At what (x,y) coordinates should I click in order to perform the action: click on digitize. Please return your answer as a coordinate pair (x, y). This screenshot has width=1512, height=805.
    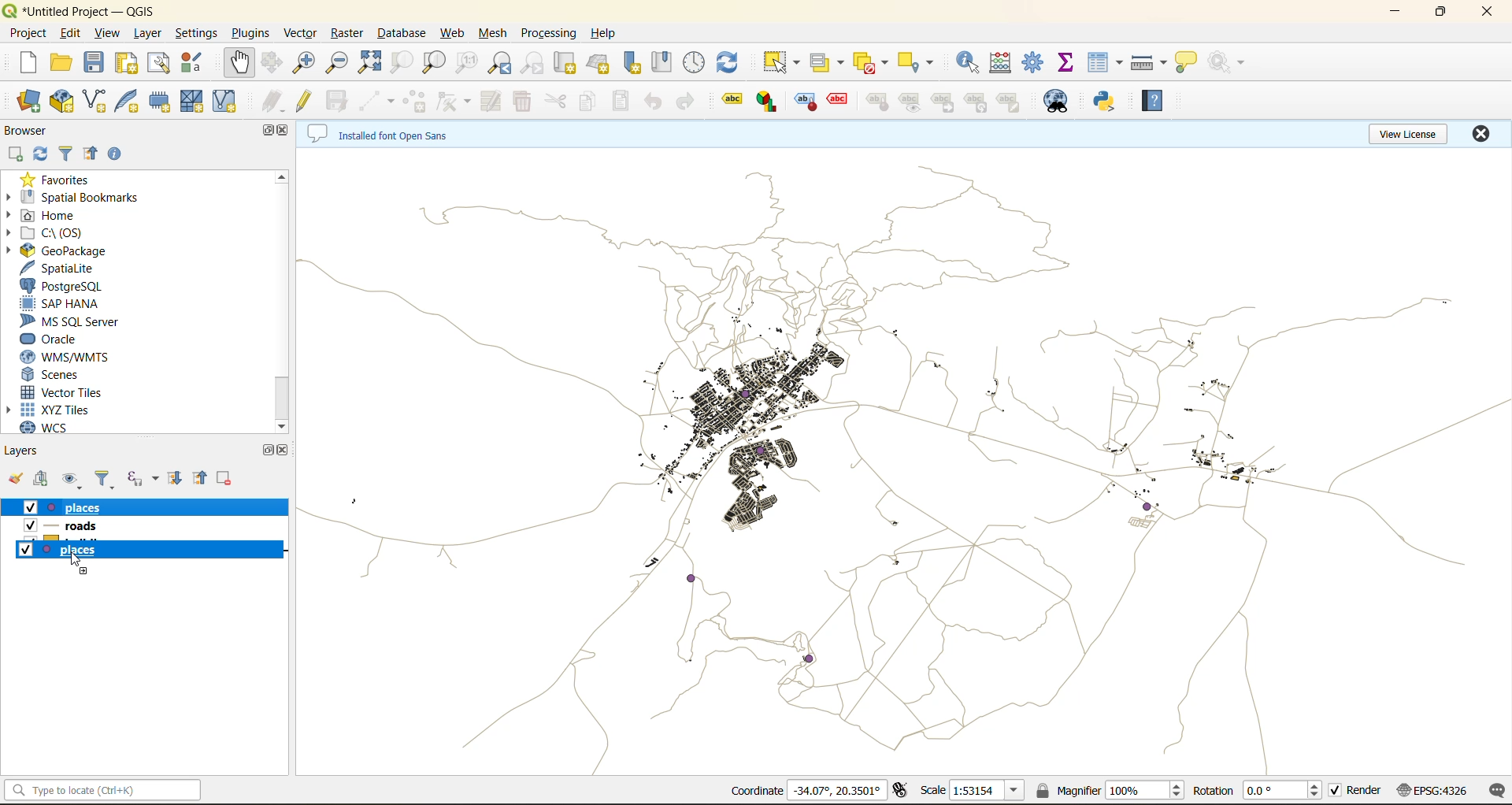
    Looking at the image, I should click on (378, 101).